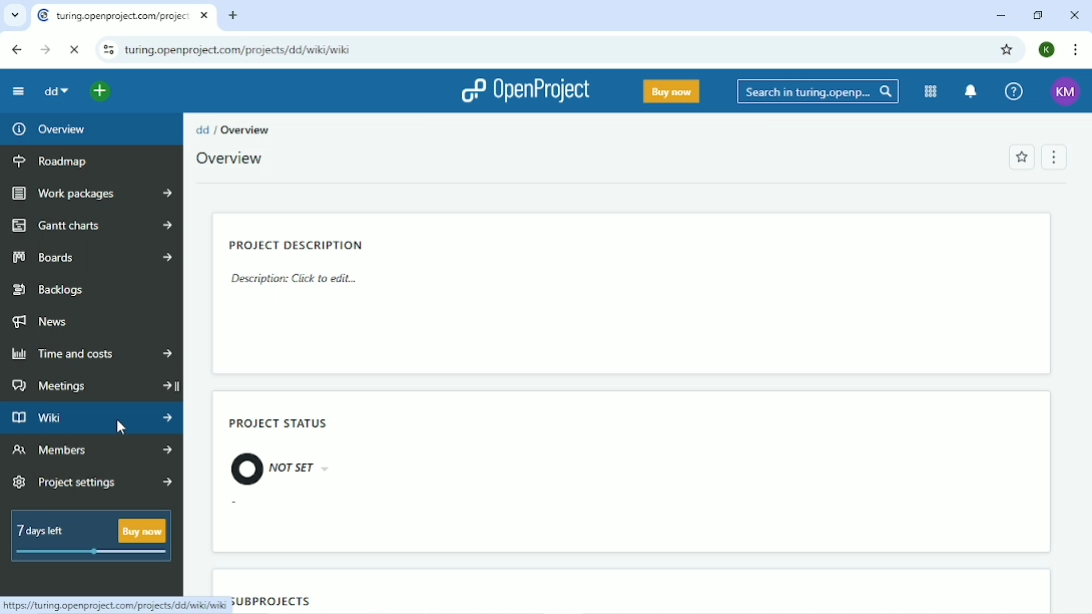  I want to click on Project settings, so click(92, 481).